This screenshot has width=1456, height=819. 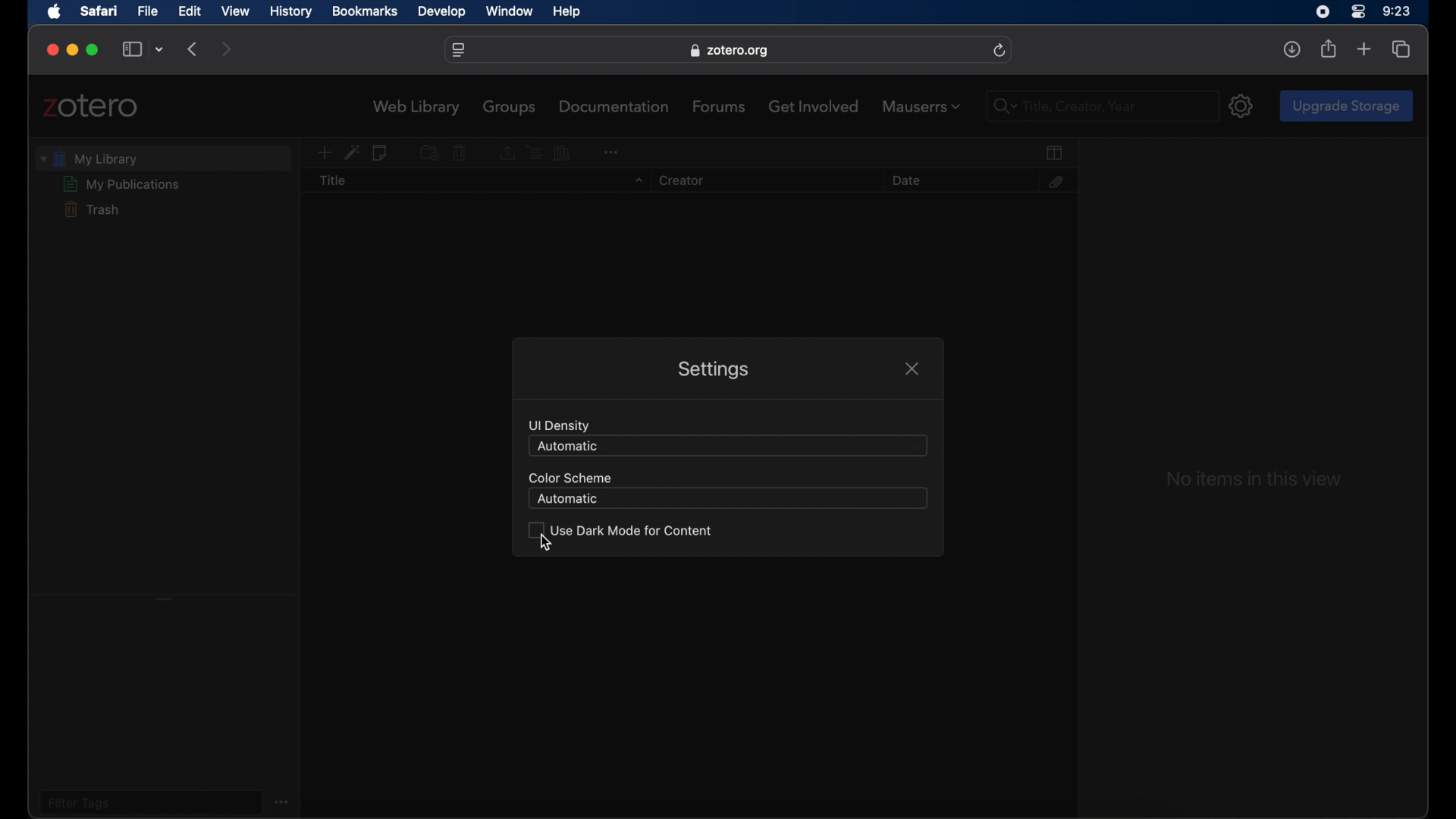 What do you see at coordinates (227, 50) in the screenshot?
I see `next` at bounding box center [227, 50].